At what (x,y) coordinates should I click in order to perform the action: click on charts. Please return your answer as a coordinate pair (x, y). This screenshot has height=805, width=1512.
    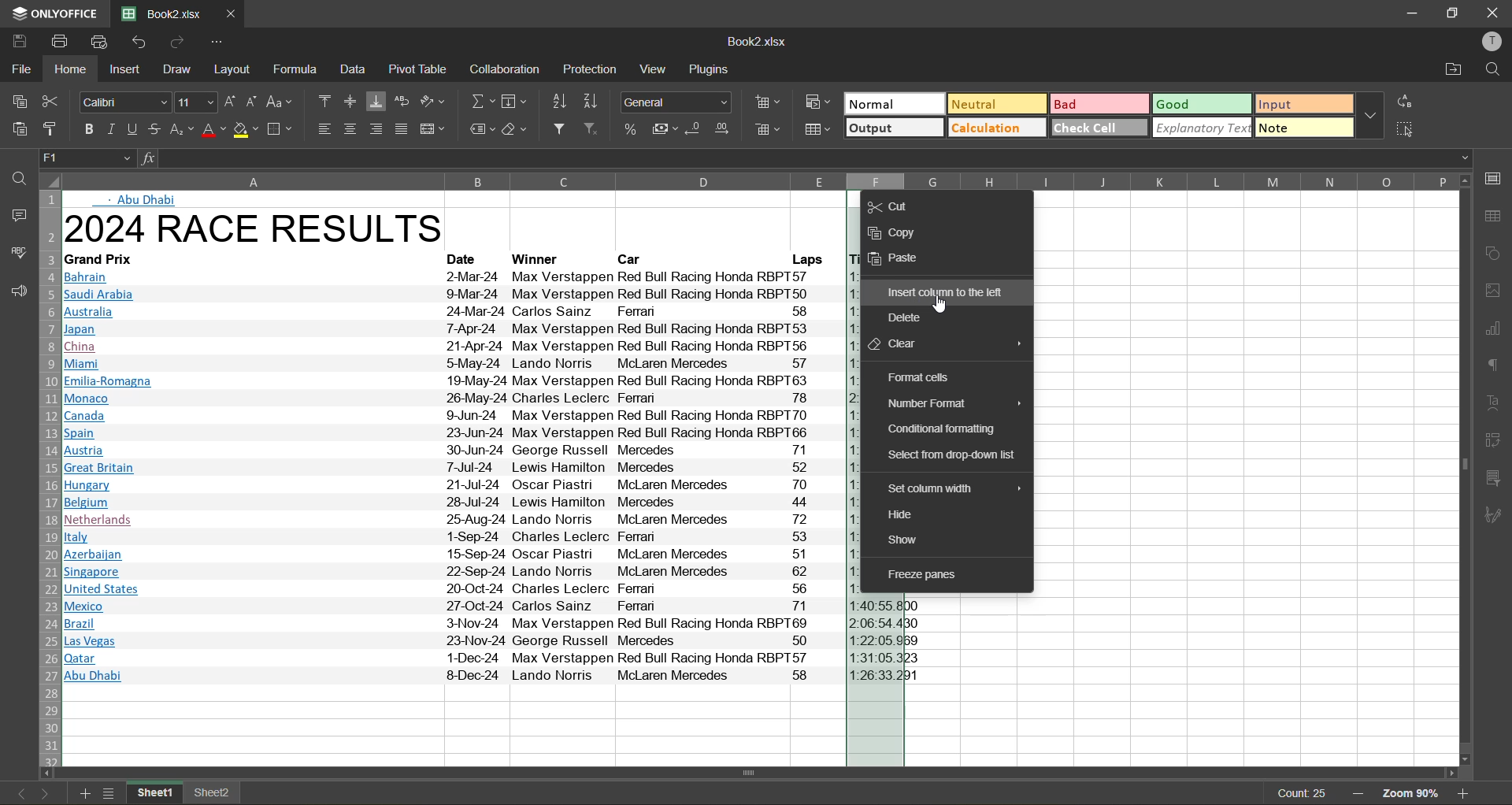
    Looking at the image, I should click on (1497, 329).